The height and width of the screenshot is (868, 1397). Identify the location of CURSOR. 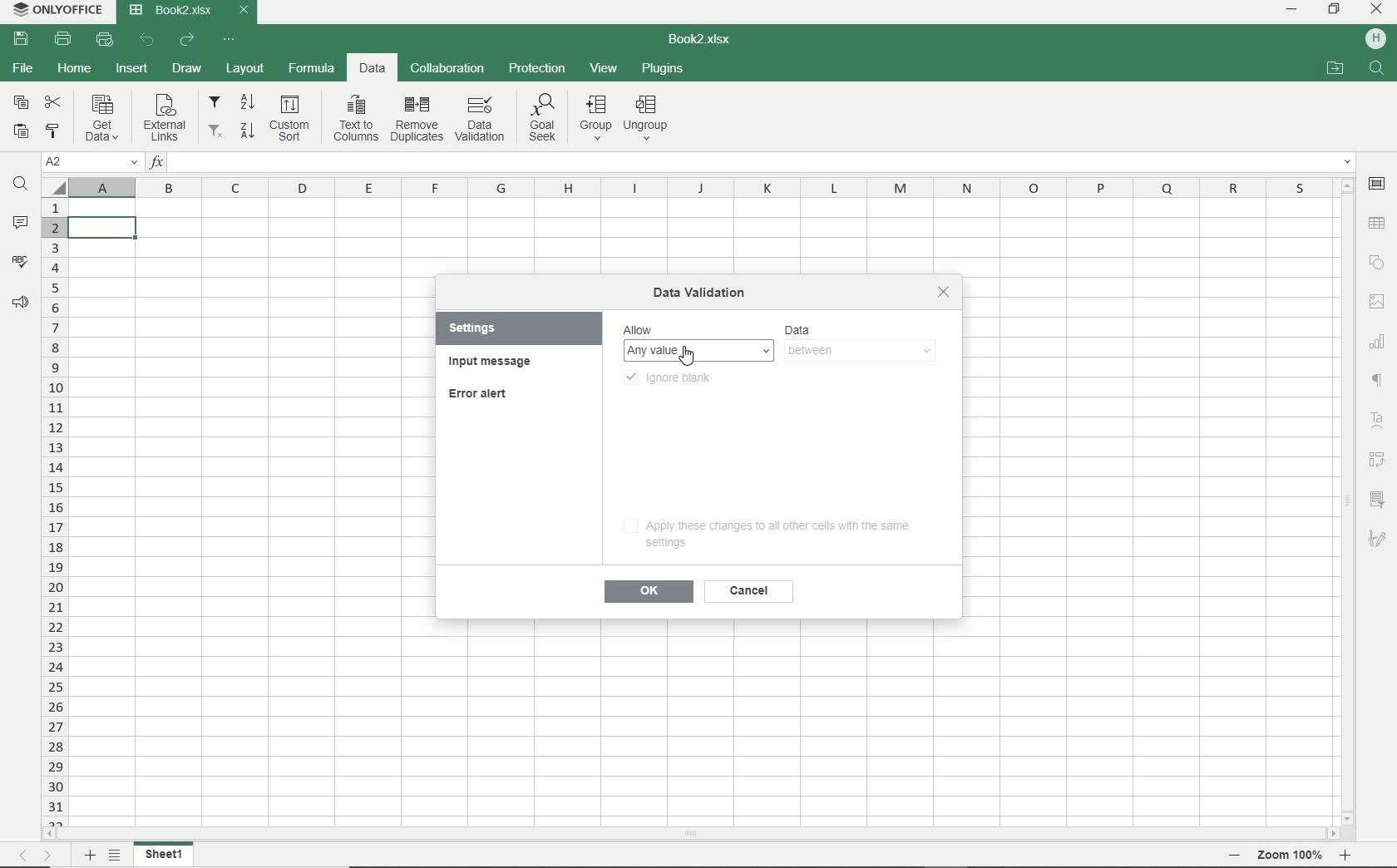
(687, 355).